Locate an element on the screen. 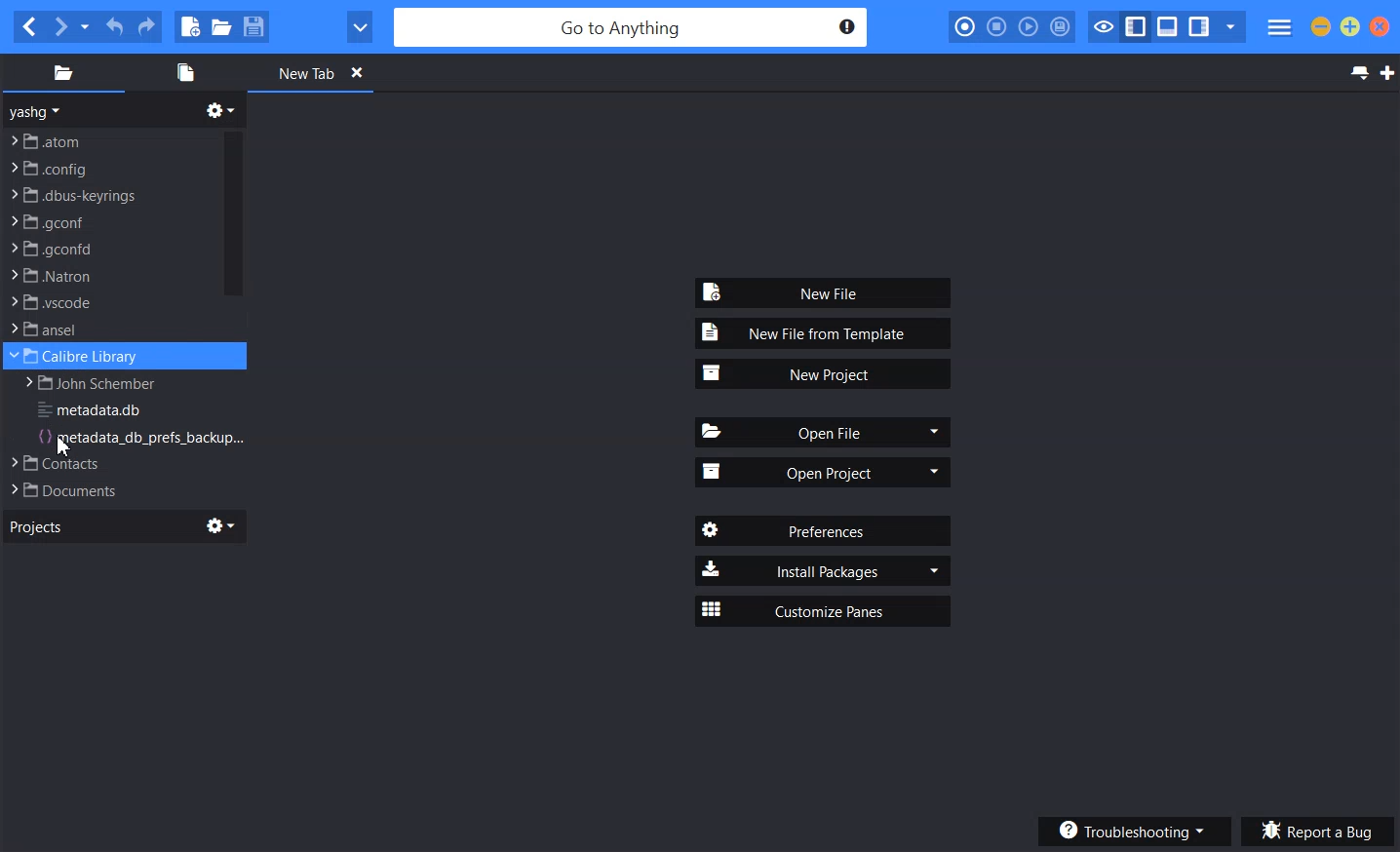 The image size is (1400, 852). Record Macro is located at coordinates (966, 27).